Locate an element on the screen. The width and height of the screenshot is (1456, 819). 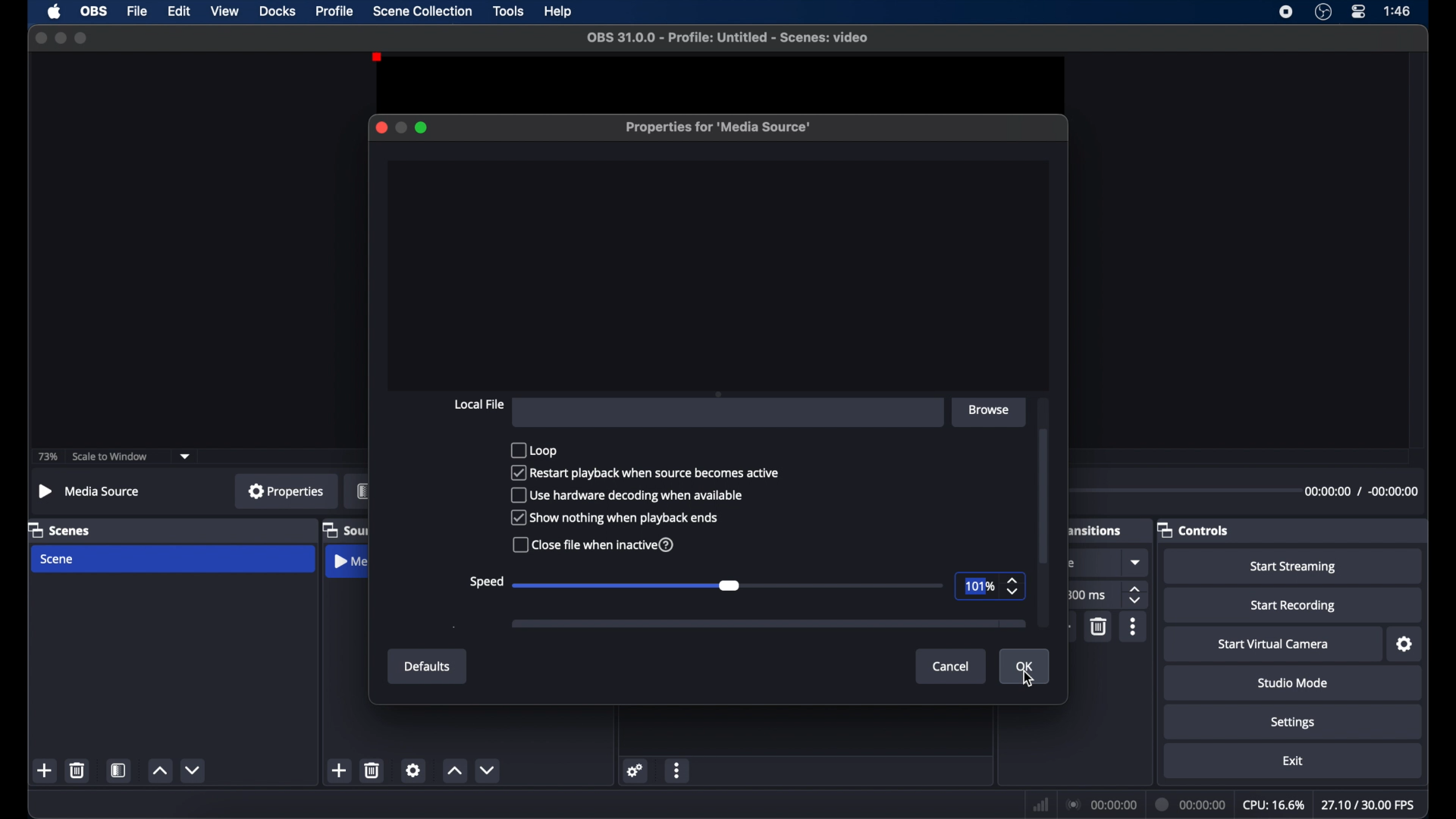
apple icon is located at coordinates (56, 11).